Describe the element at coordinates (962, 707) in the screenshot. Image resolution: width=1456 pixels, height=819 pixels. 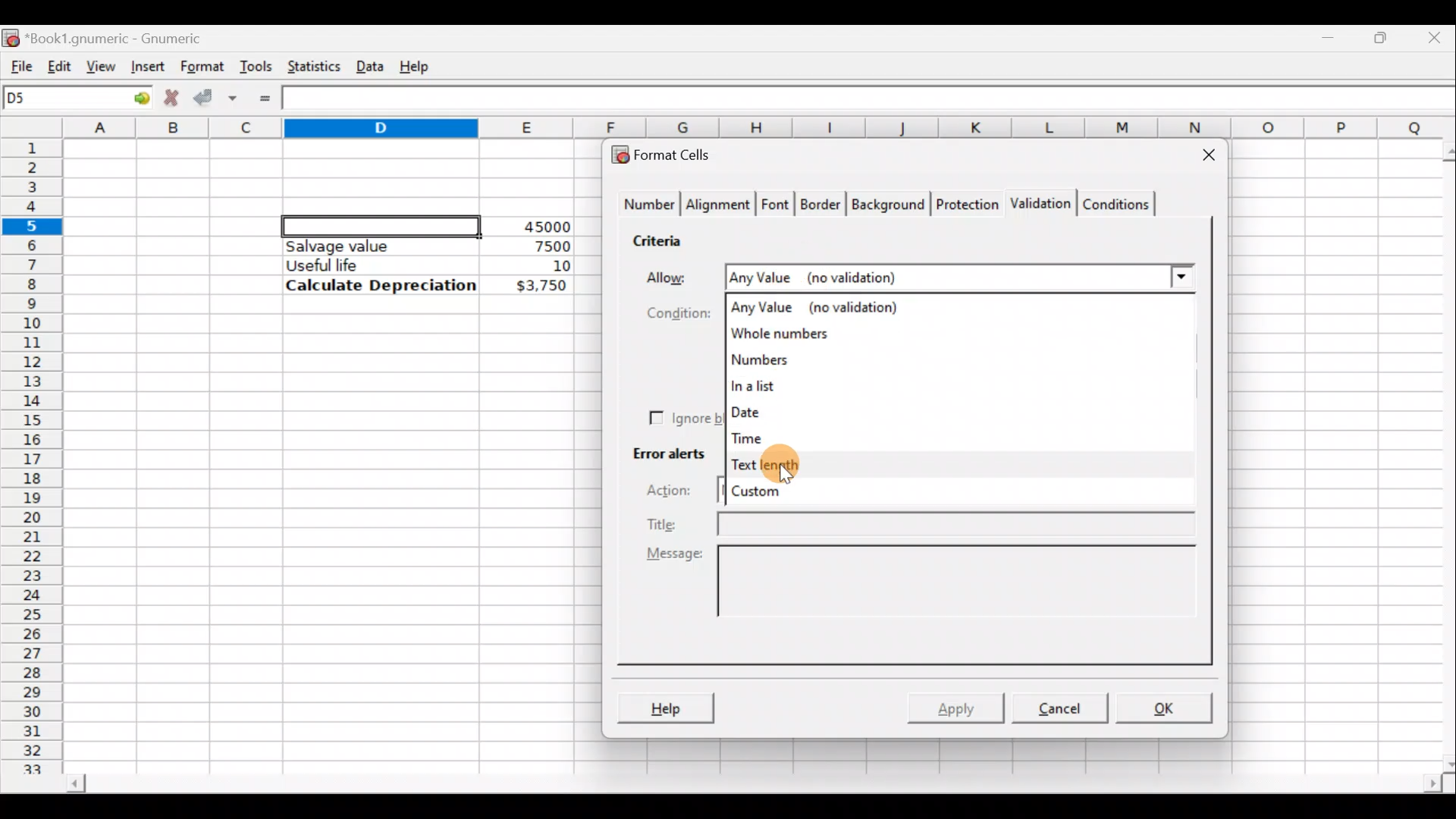
I see `Apply` at that location.